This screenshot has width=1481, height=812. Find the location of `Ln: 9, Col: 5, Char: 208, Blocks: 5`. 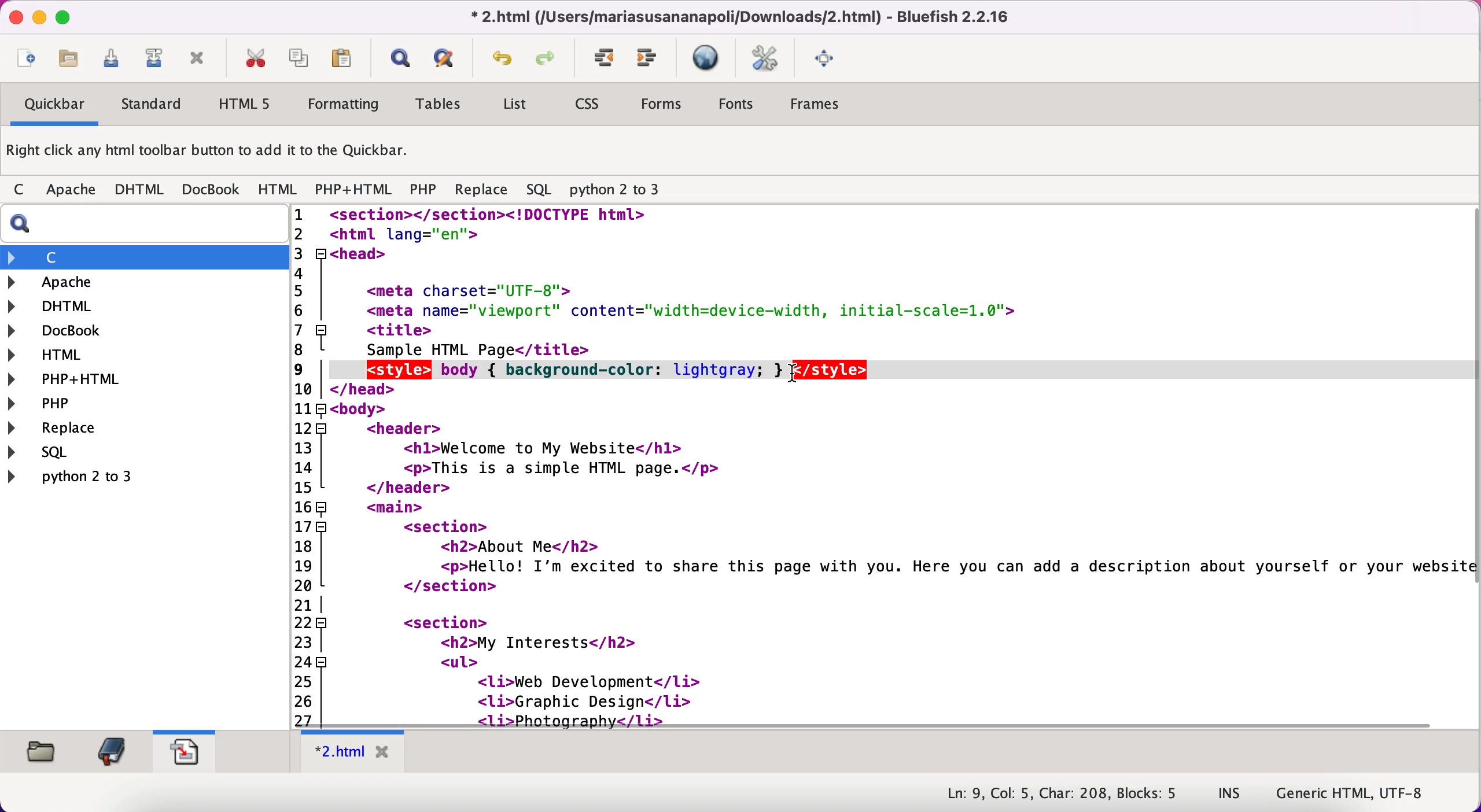

Ln: 9, Col: 5, Char: 208, Blocks: 5 is located at coordinates (1063, 794).